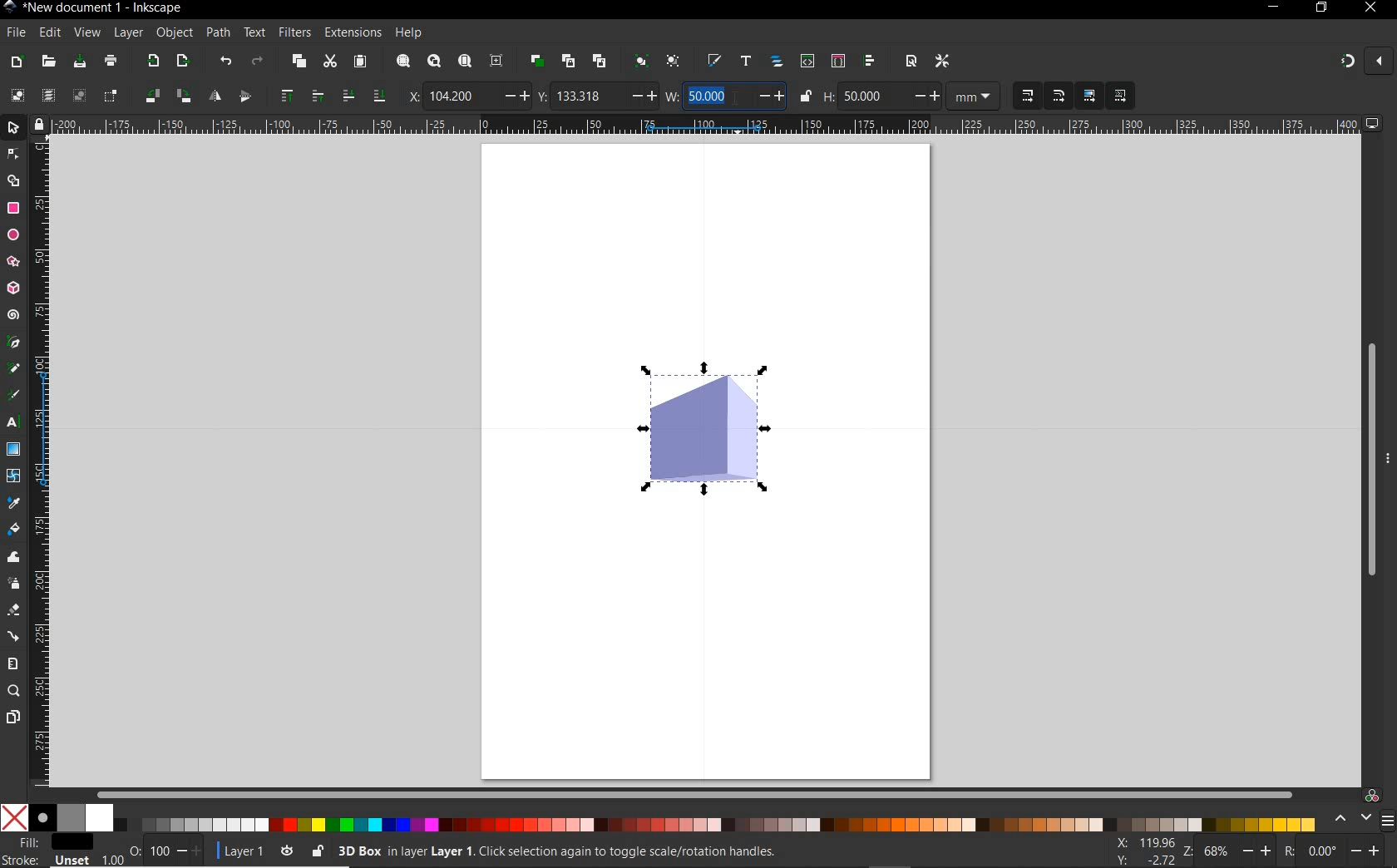 The height and width of the screenshot is (868, 1397). Describe the element at coordinates (1286, 851) in the screenshot. I see `rotation` at that location.